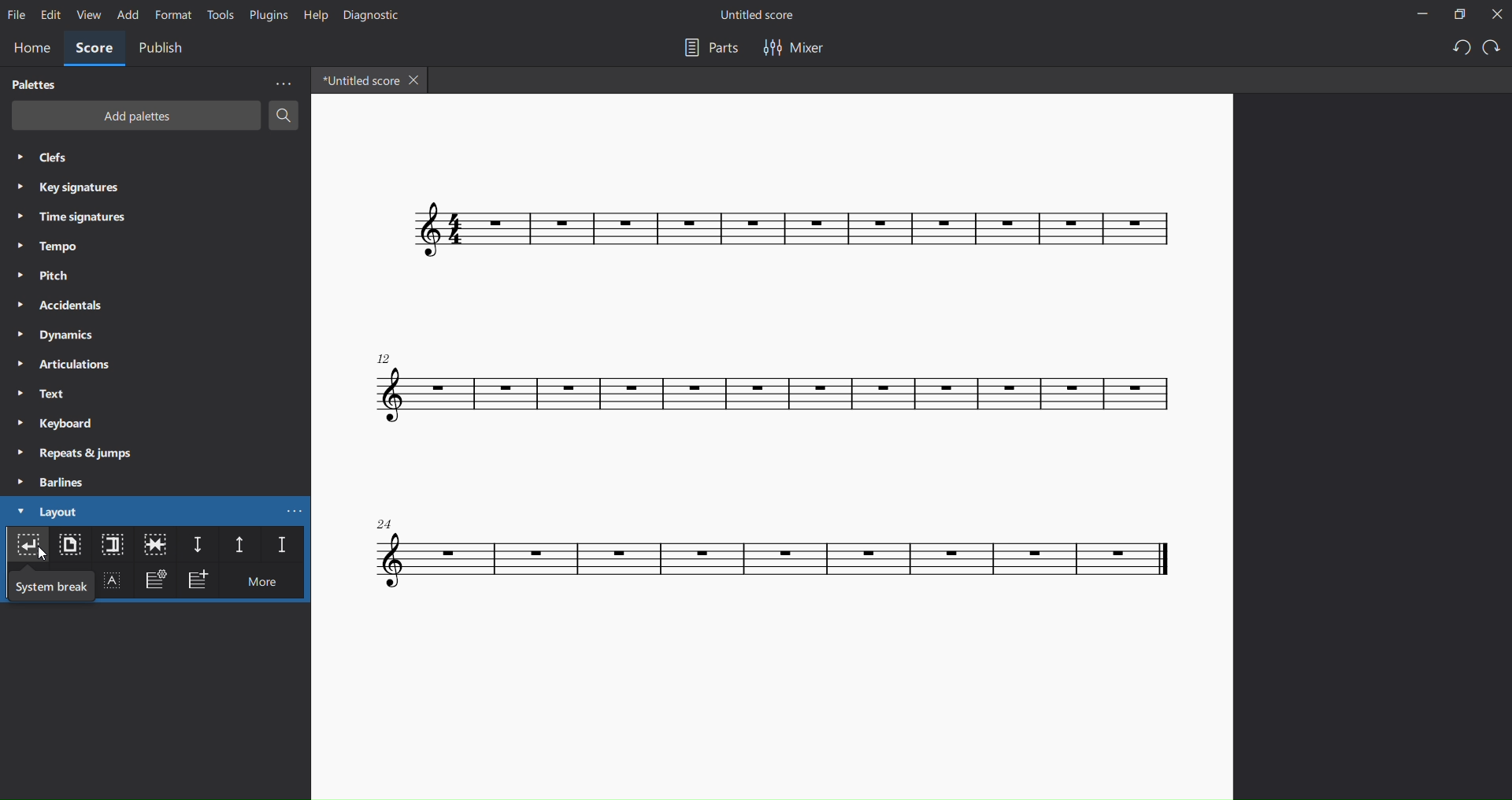 This screenshot has width=1512, height=800. What do you see at coordinates (114, 583) in the screenshot?
I see `text frame` at bounding box center [114, 583].